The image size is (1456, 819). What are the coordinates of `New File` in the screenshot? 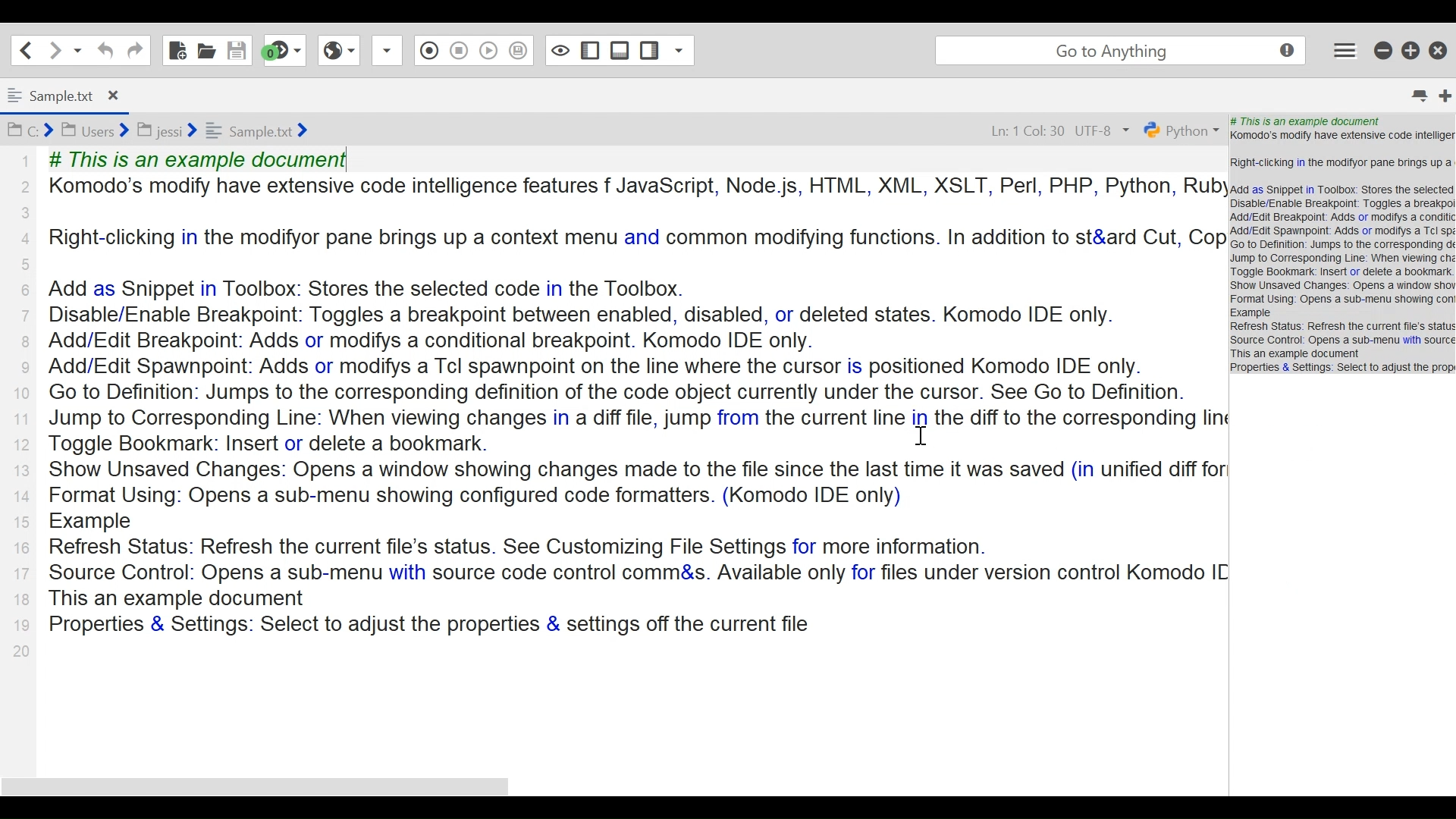 It's located at (178, 49).